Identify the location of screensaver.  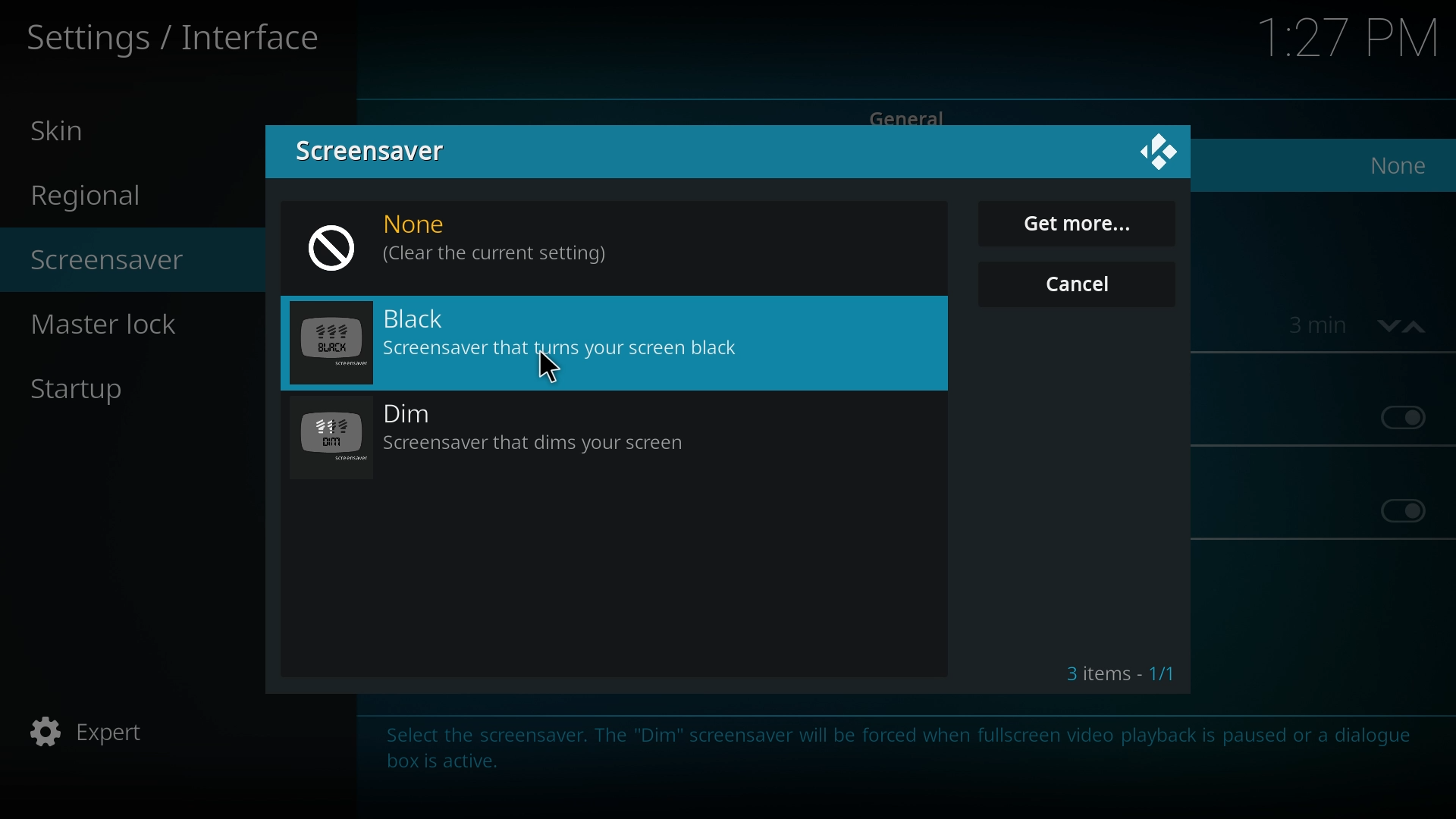
(129, 260).